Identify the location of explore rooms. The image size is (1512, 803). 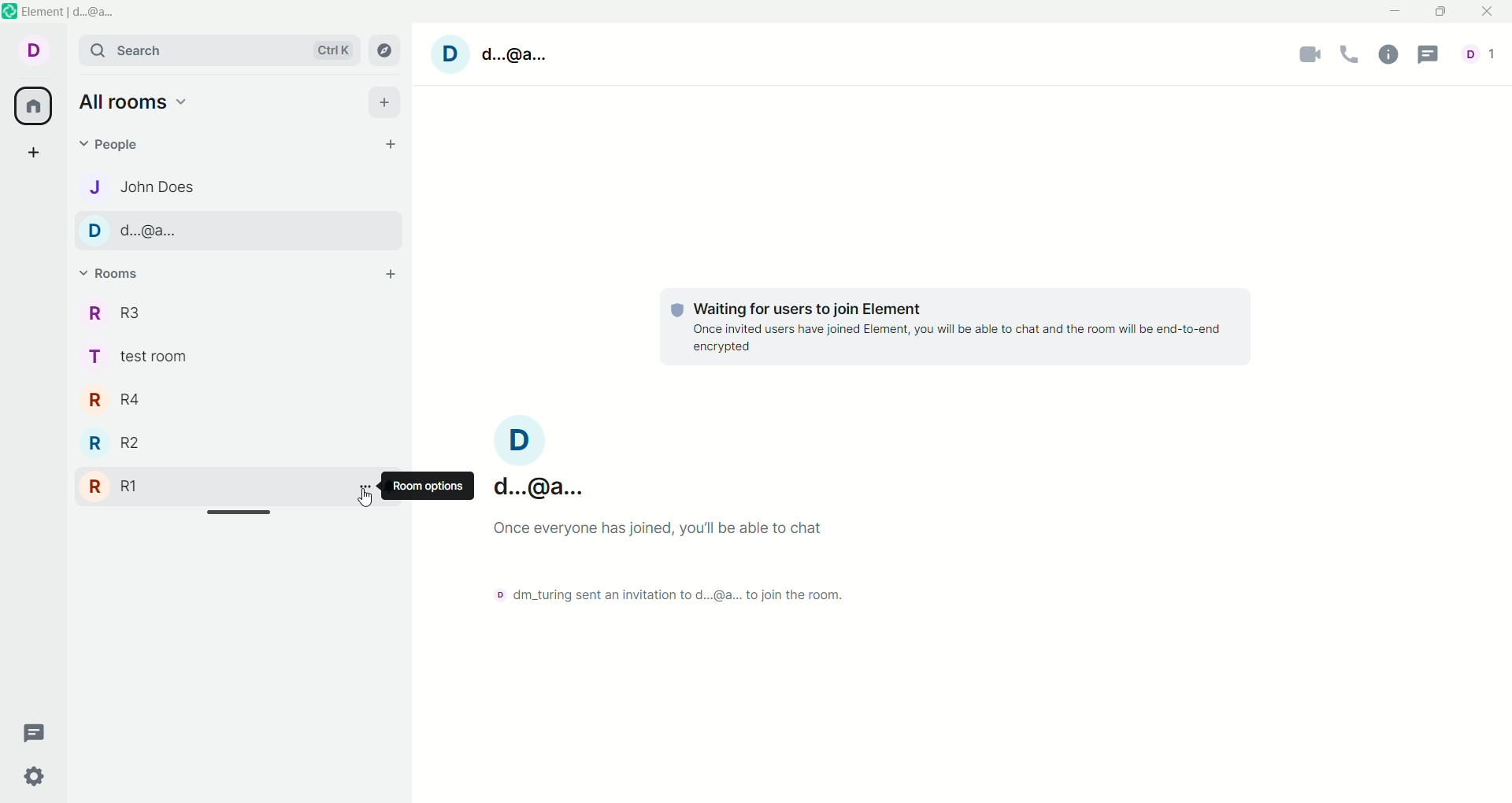
(389, 50).